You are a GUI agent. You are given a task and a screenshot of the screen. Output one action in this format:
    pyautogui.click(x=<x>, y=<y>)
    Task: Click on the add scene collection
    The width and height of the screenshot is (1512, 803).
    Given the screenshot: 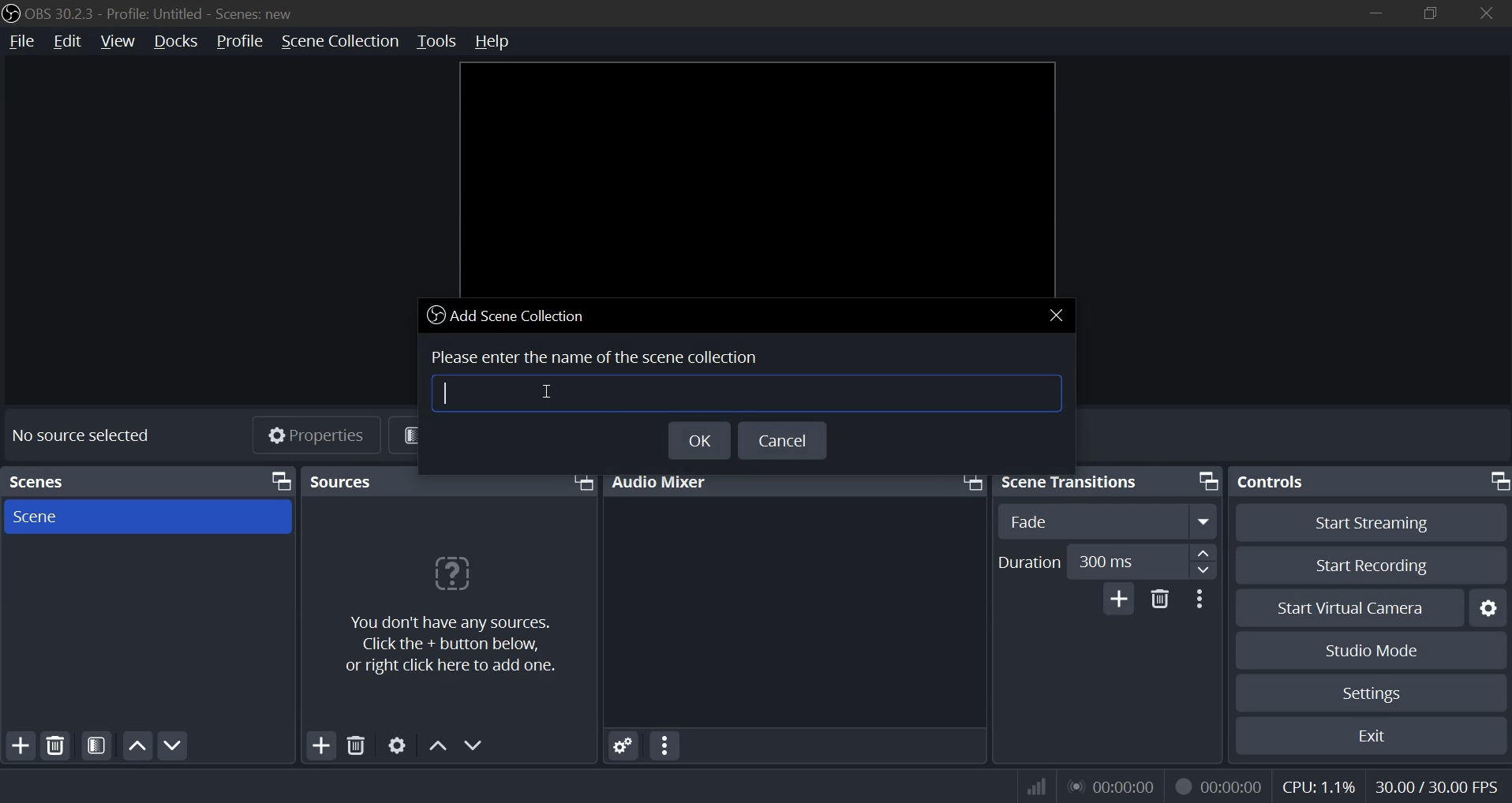 What is the action you would take?
    pyautogui.click(x=510, y=315)
    